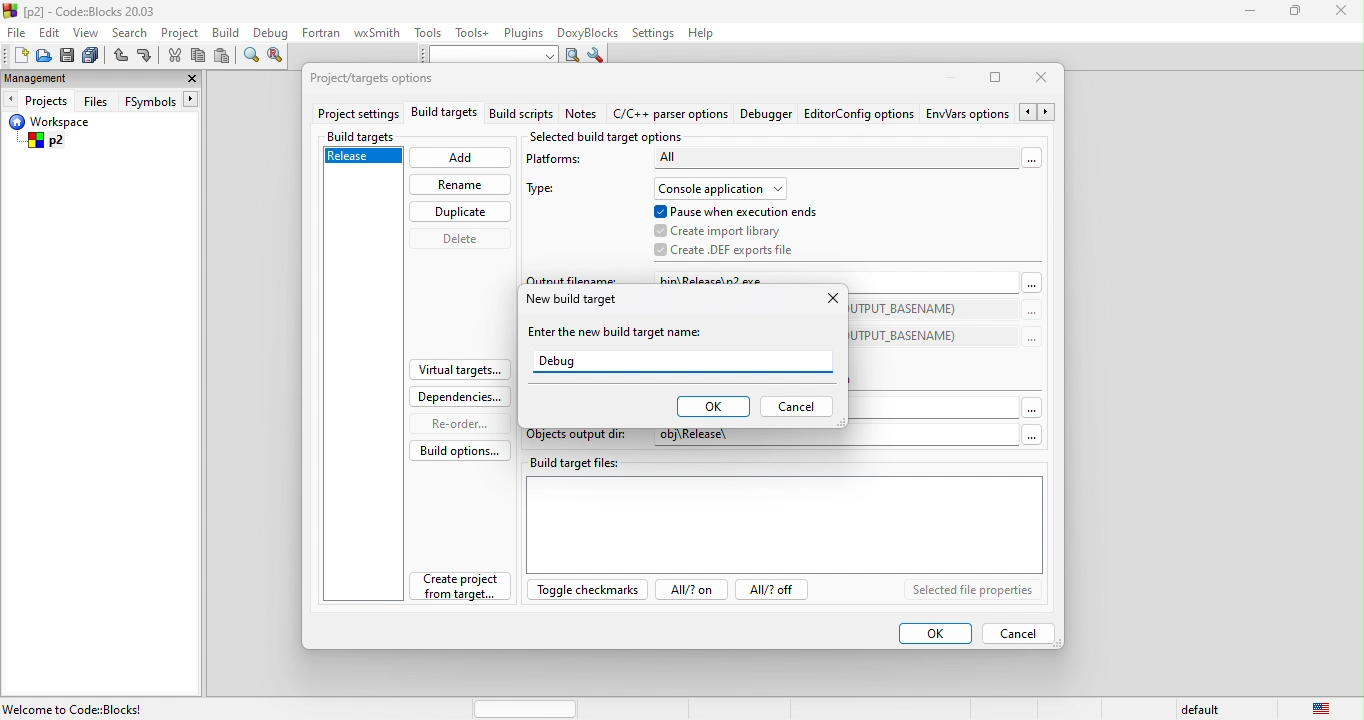 The height and width of the screenshot is (720, 1364). I want to click on [p2] - Code=Blocks 20.03, so click(81, 11).